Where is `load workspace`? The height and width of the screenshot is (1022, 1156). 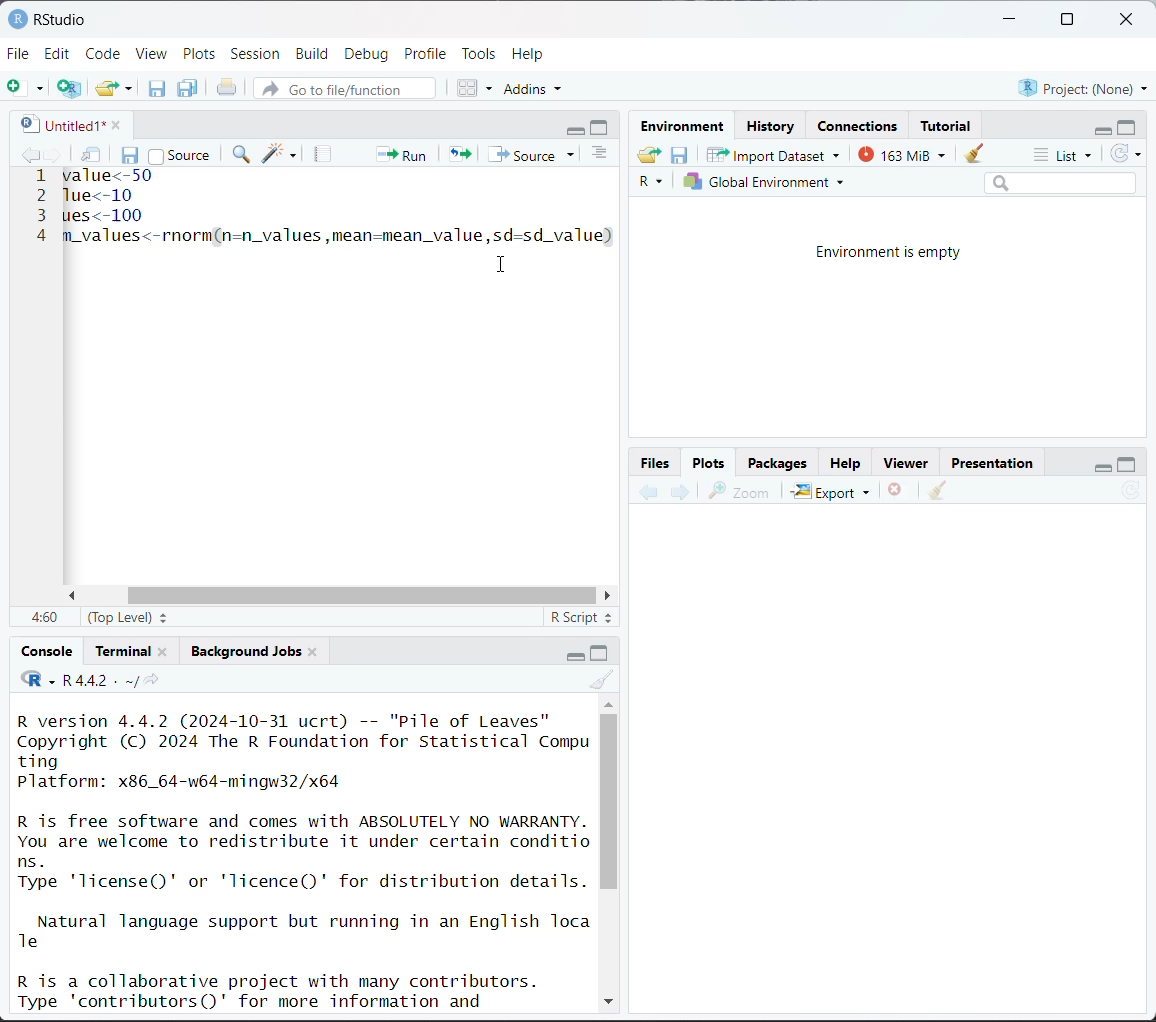 load workspace is located at coordinates (652, 157).